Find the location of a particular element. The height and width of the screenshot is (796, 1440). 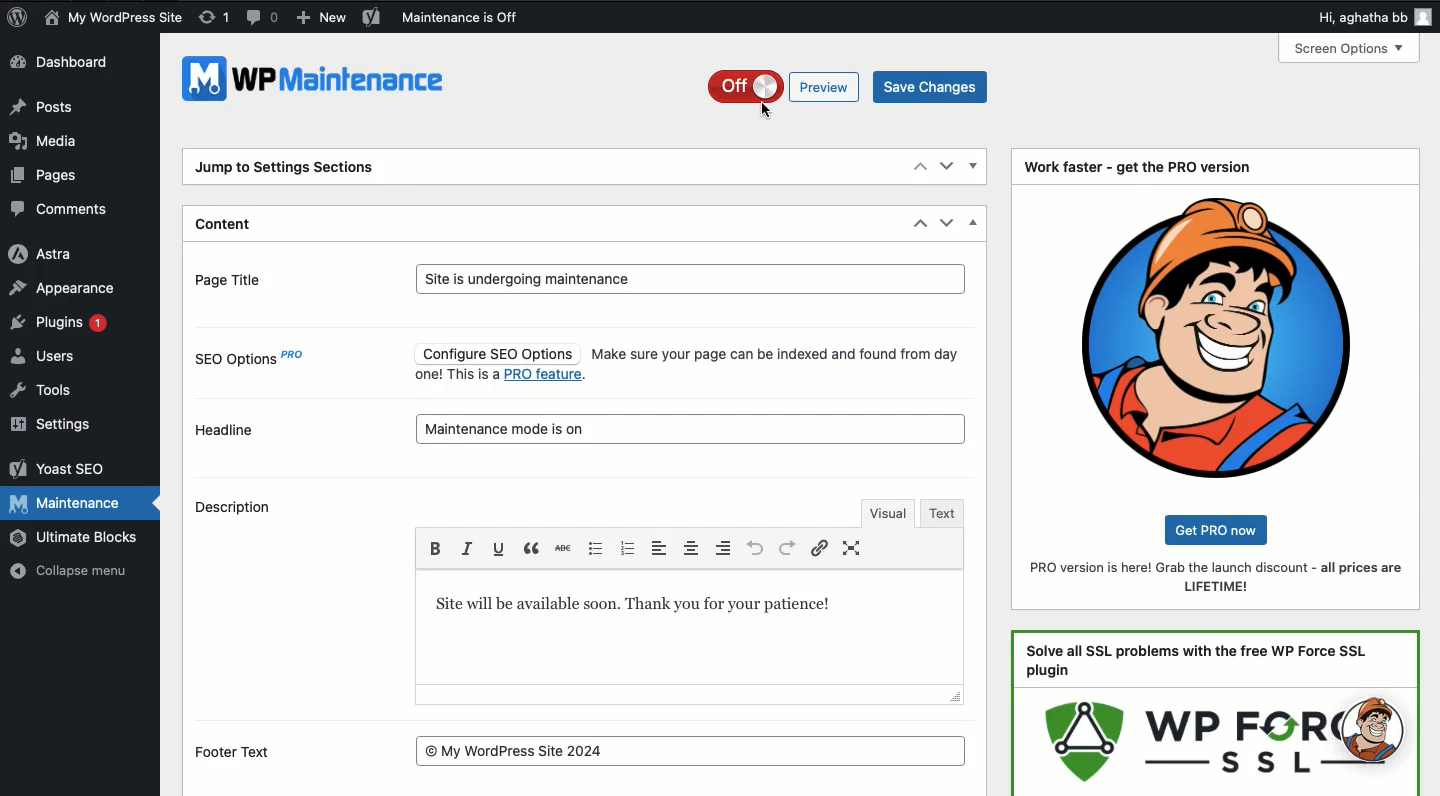

Pro version is located at coordinates (1219, 578).